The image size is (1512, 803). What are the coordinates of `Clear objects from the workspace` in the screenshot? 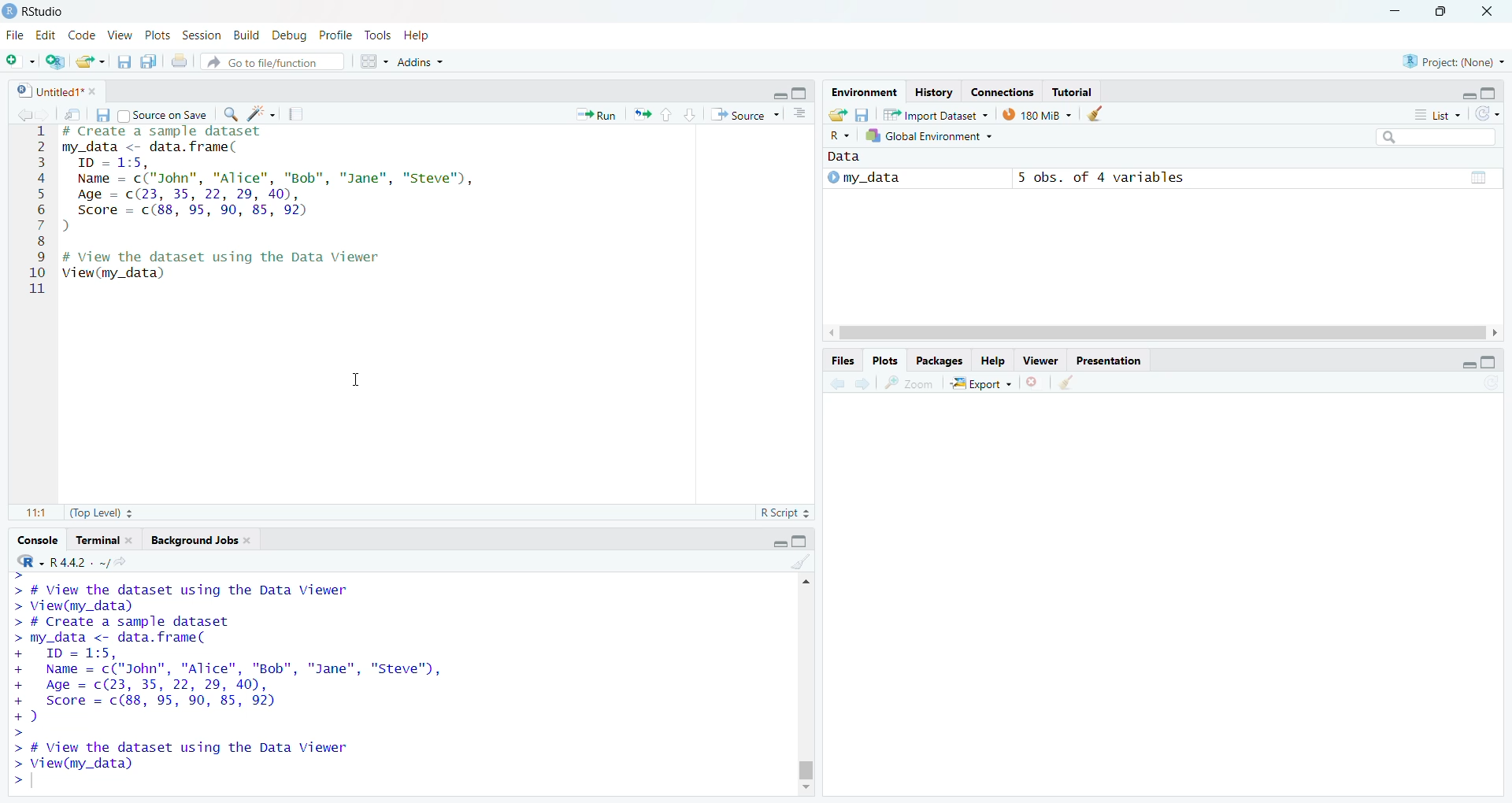 It's located at (1093, 116).